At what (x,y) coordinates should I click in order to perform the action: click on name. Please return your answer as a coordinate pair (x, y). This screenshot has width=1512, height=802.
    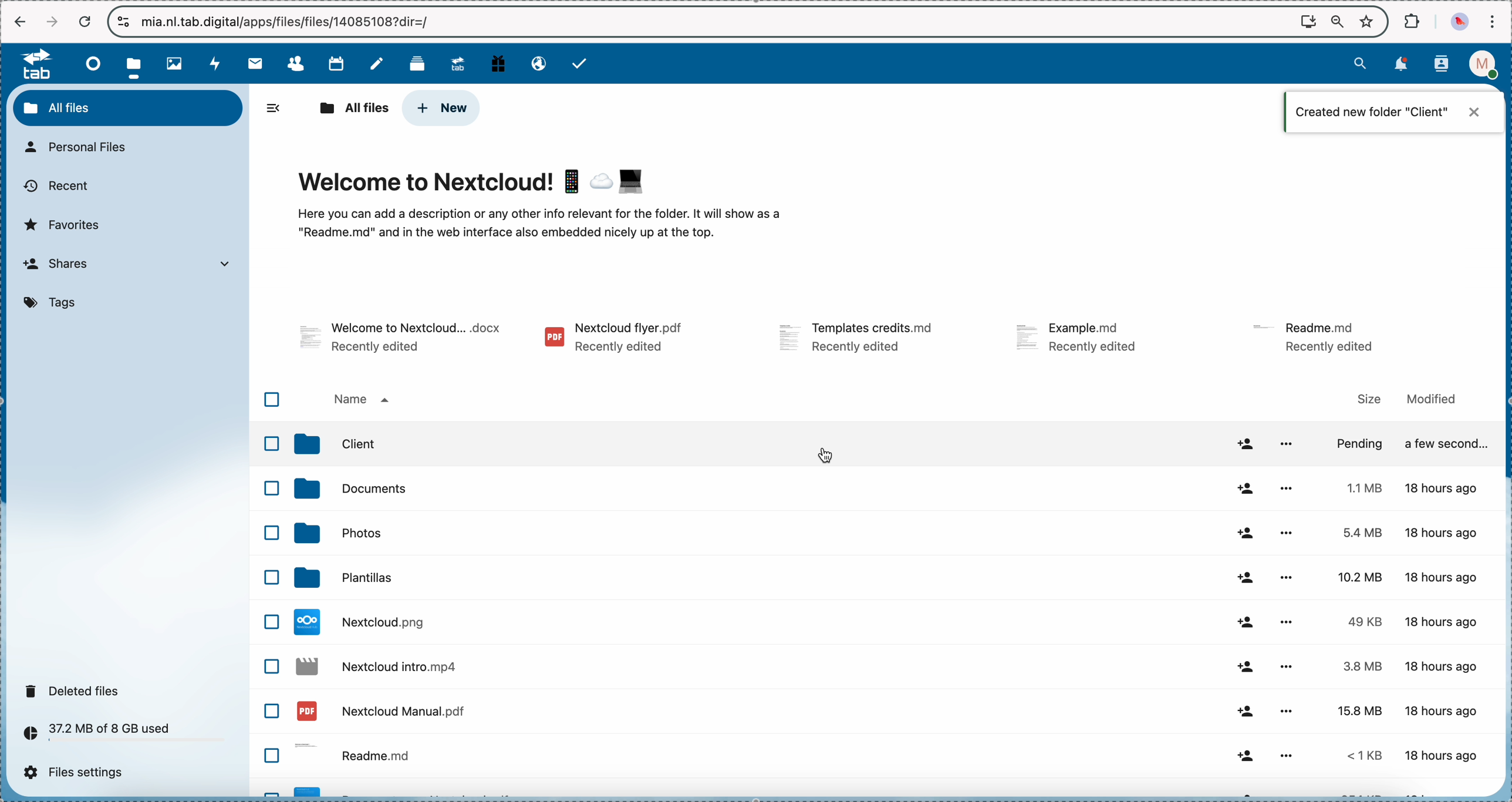
    Looking at the image, I should click on (362, 401).